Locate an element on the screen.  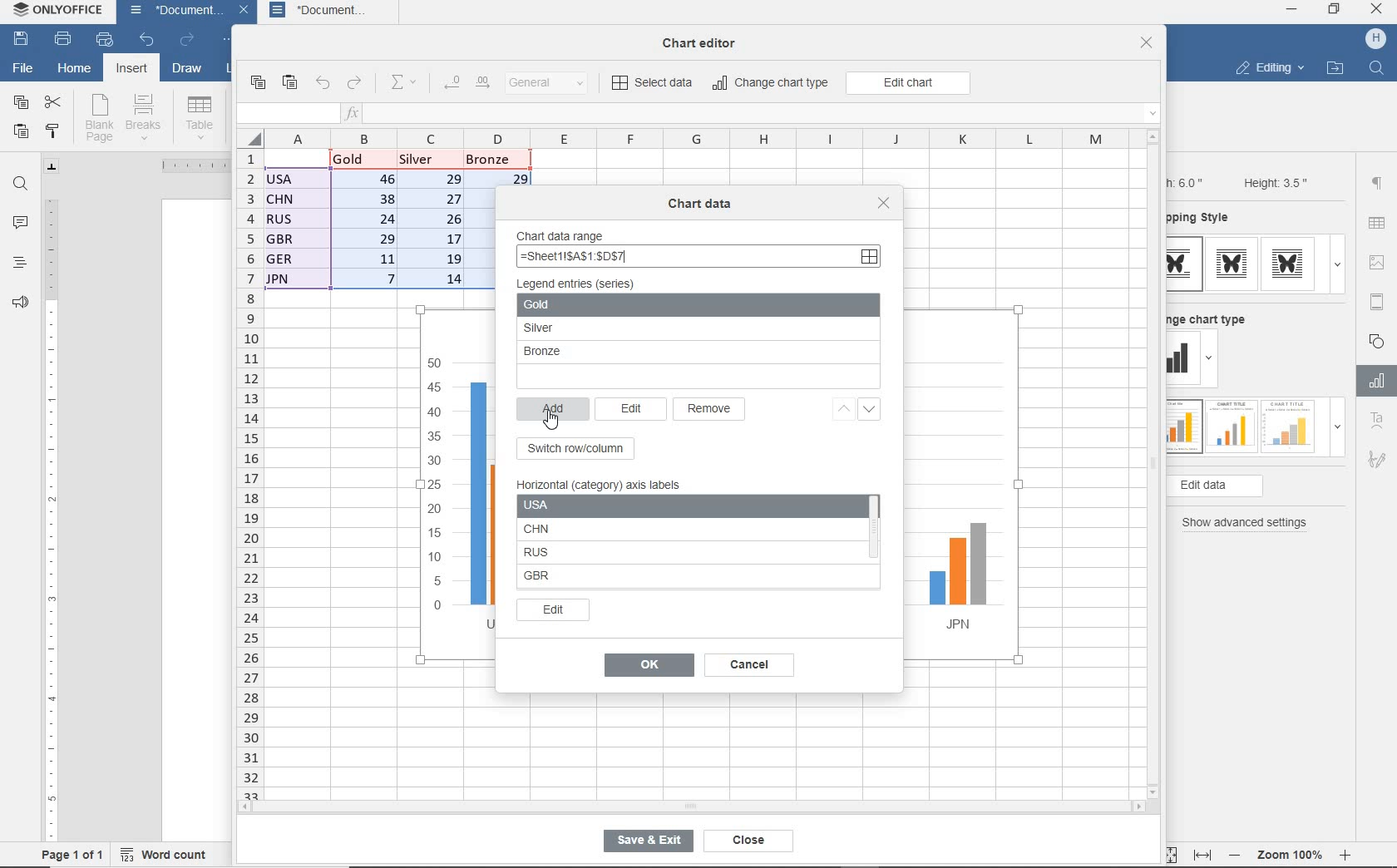
close is located at coordinates (1378, 11).